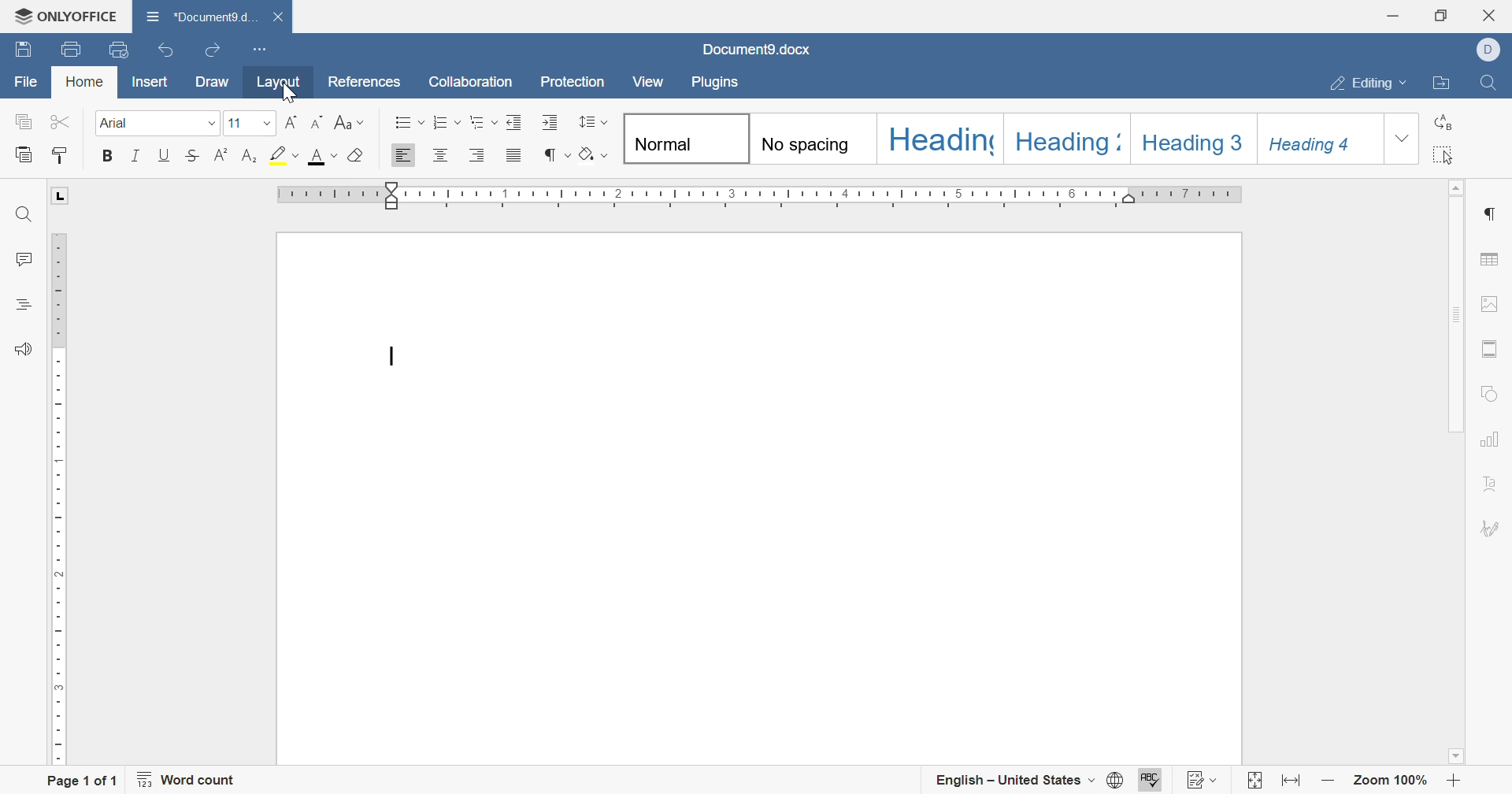 The height and width of the screenshot is (794, 1512). I want to click on align right, so click(477, 154).